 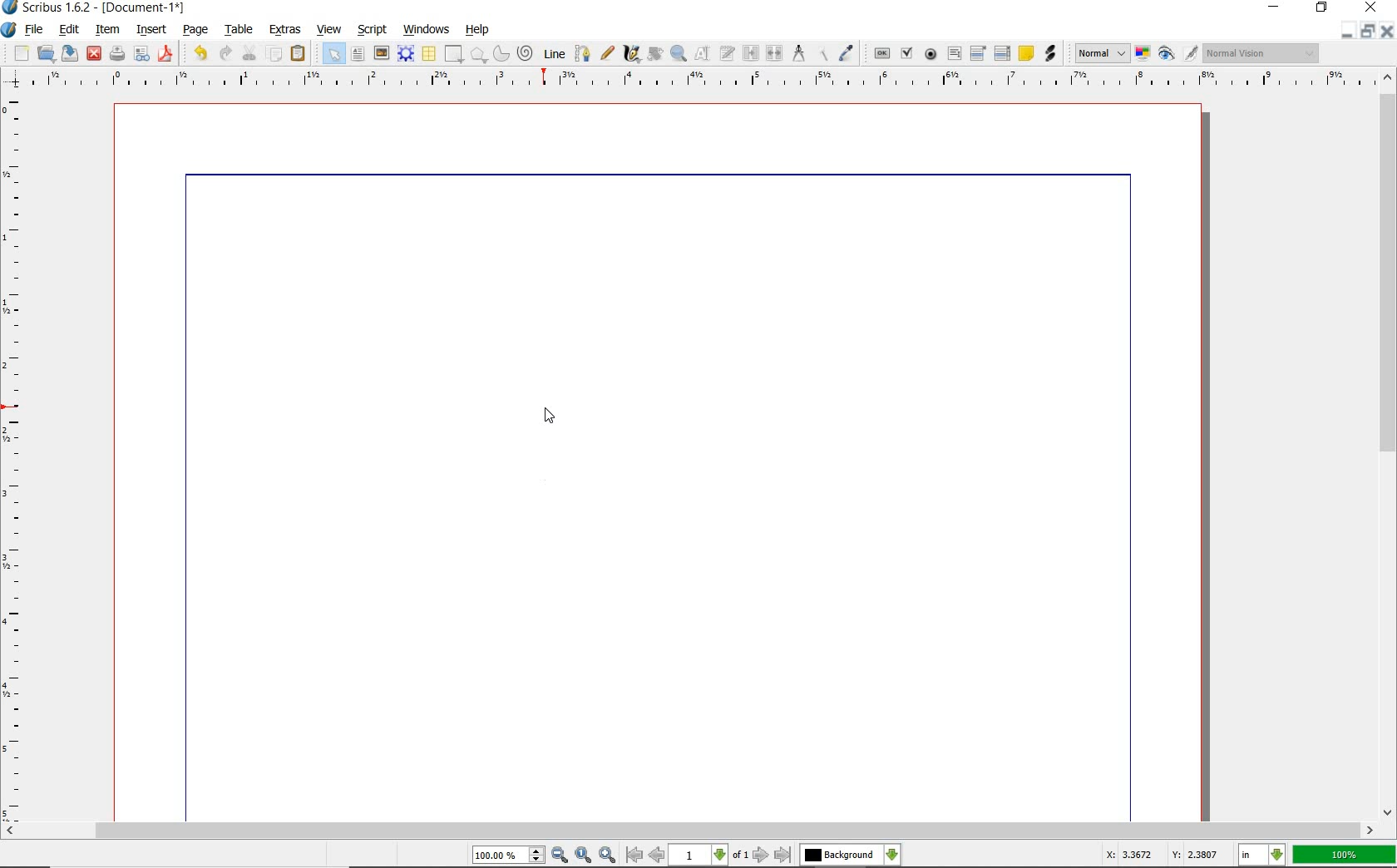 What do you see at coordinates (953, 53) in the screenshot?
I see `pdf text field` at bounding box center [953, 53].